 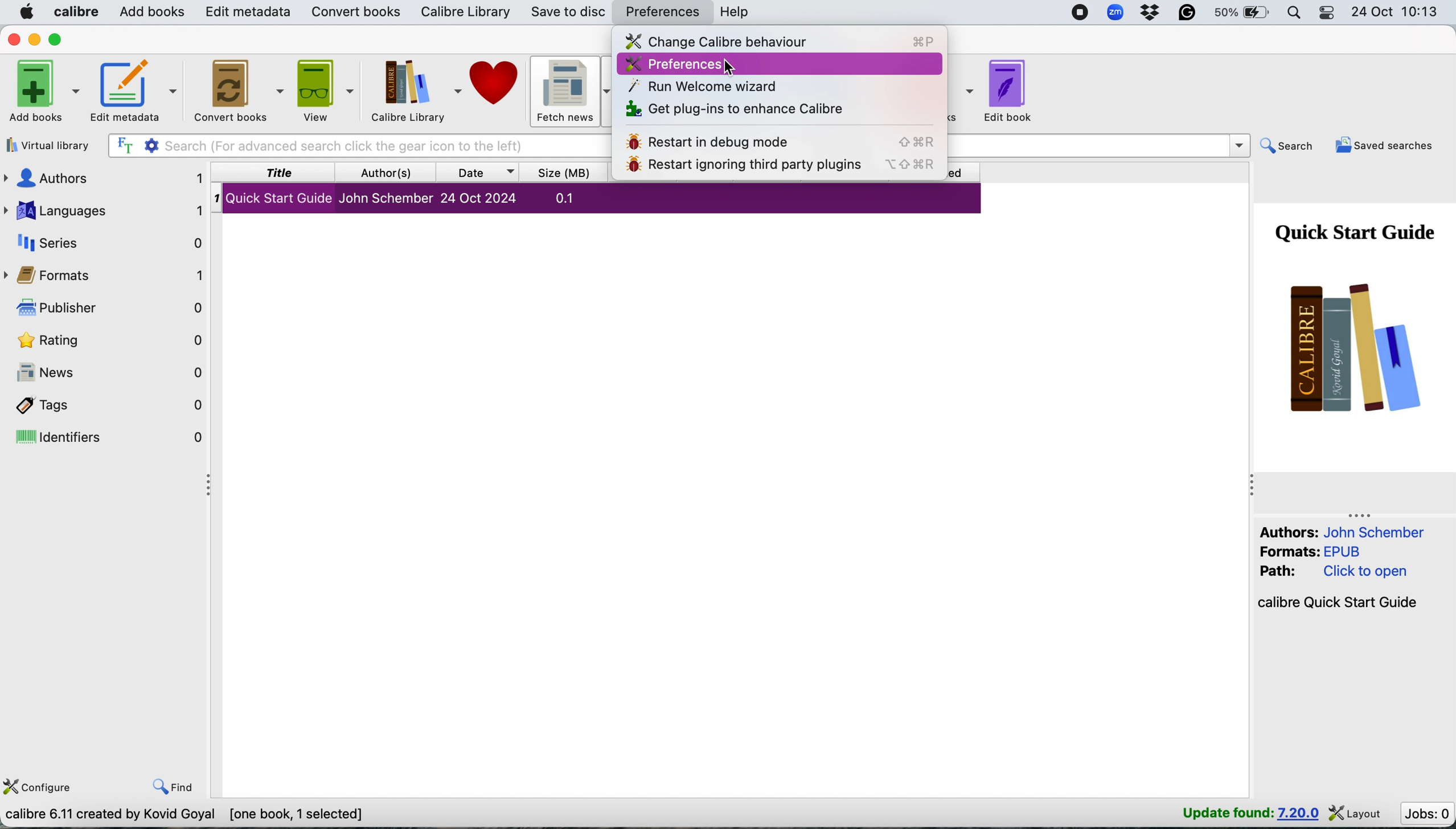 What do you see at coordinates (777, 42) in the screenshot?
I see `change calibre behaviour` at bounding box center [777, 42].